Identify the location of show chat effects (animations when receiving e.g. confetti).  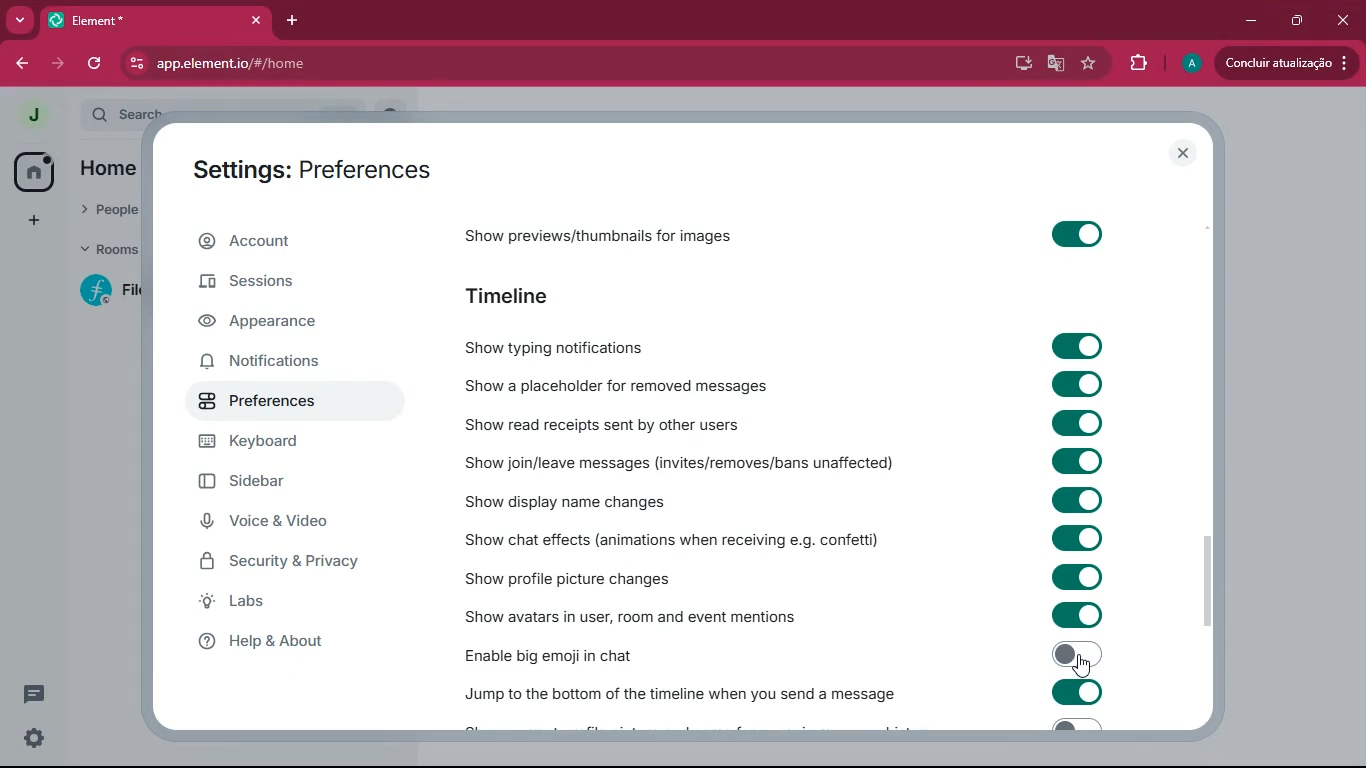
(680, 539).